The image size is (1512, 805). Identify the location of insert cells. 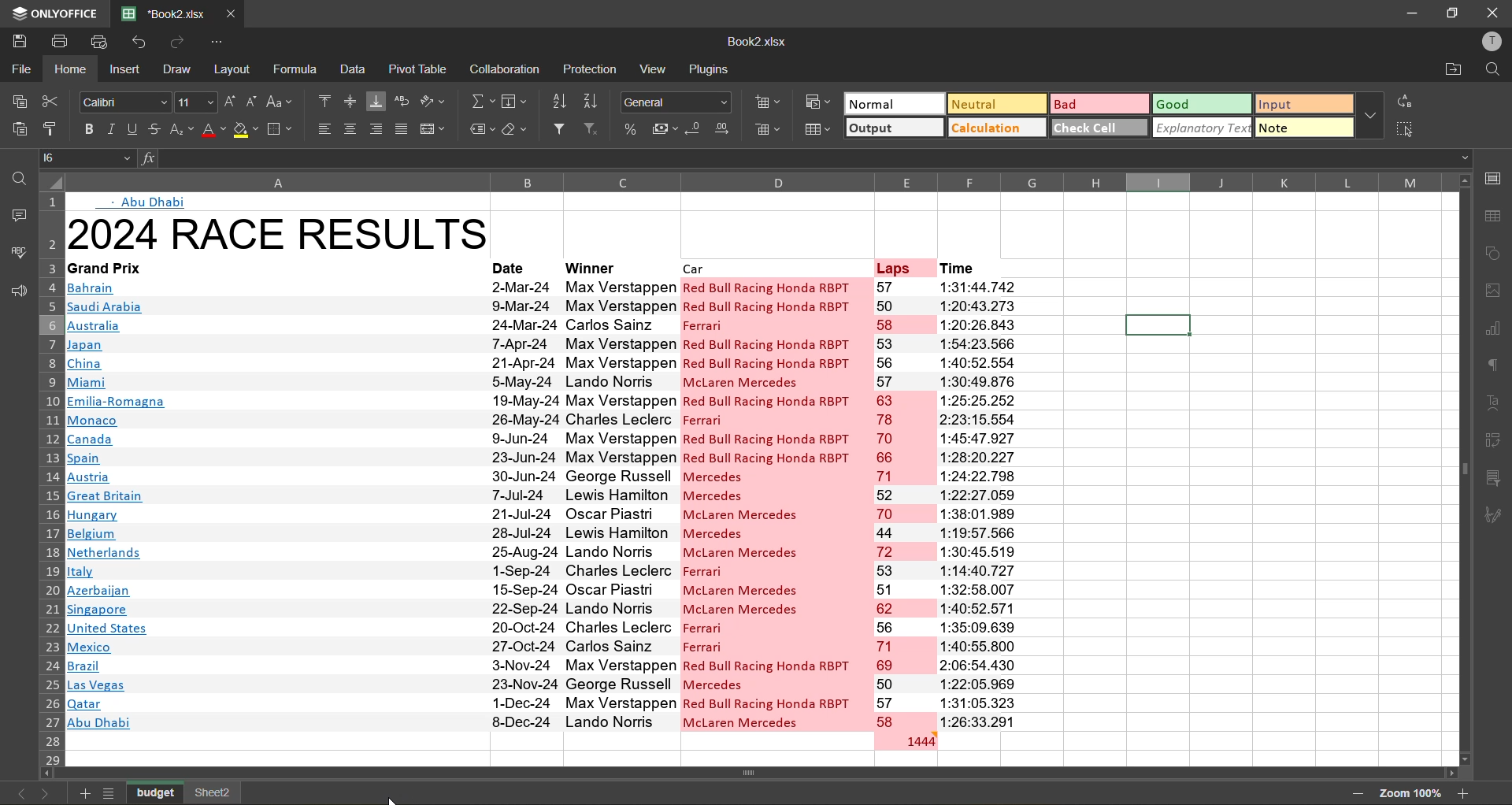
(768, 103).